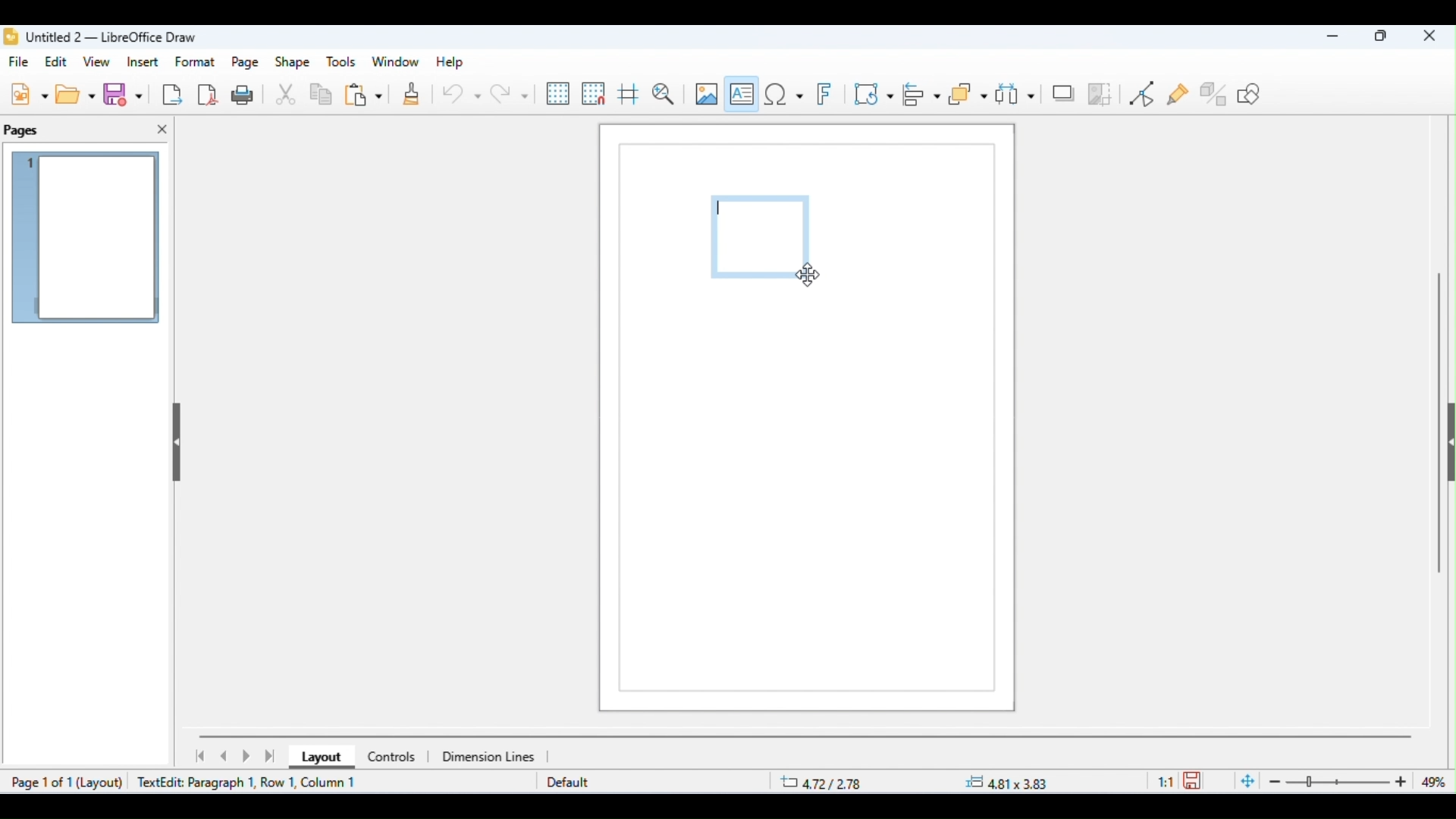 This screenshot has height=819, width=1456. What do you see at coordinates (409, 96) in the screenshot?
I see `clone` at bounding box center [409, 96].